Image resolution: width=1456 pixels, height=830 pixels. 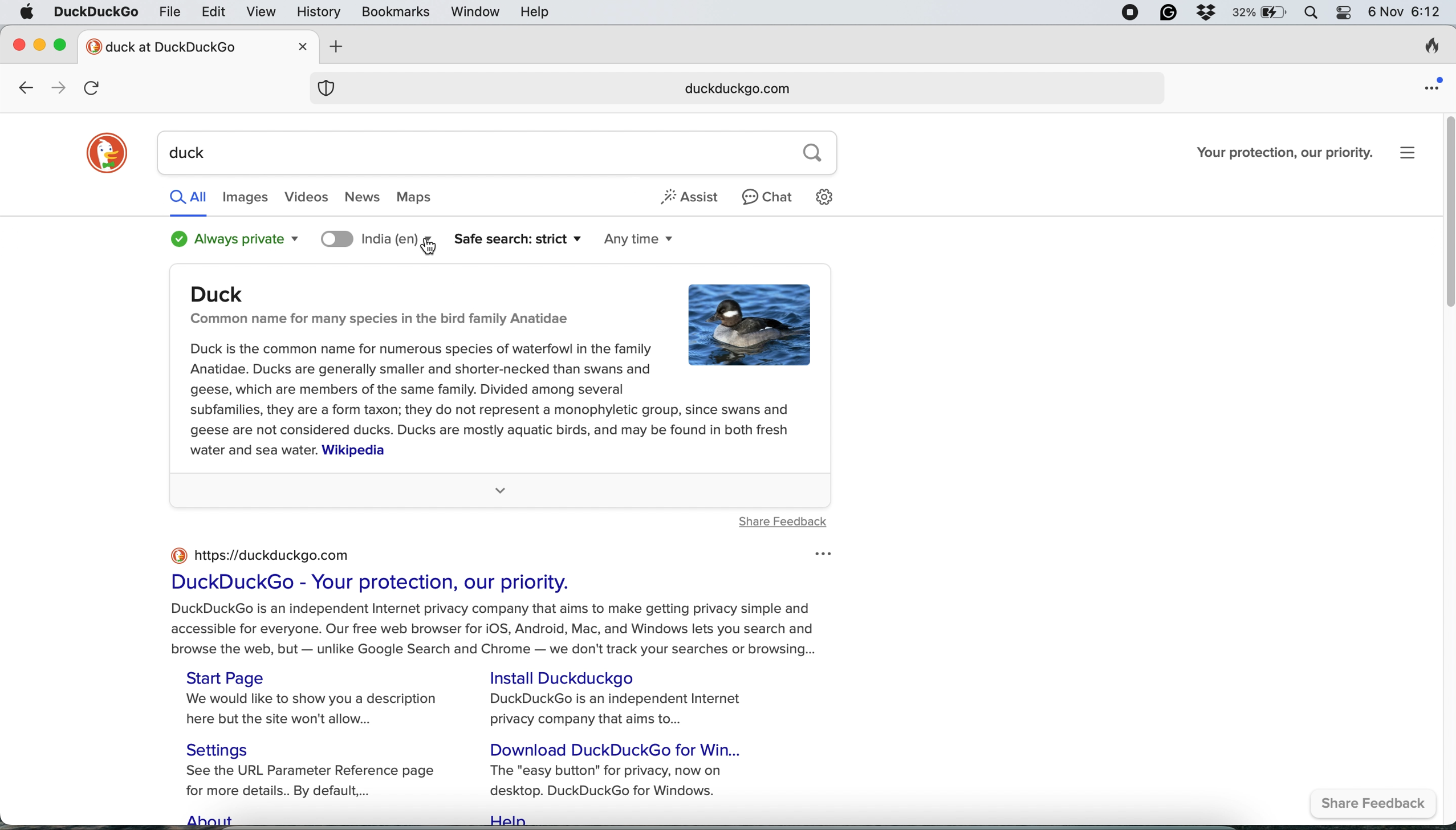 What do you see at coordinates (264, 14) in the screenshot?
I see `view` at bounding box center [264, 14].